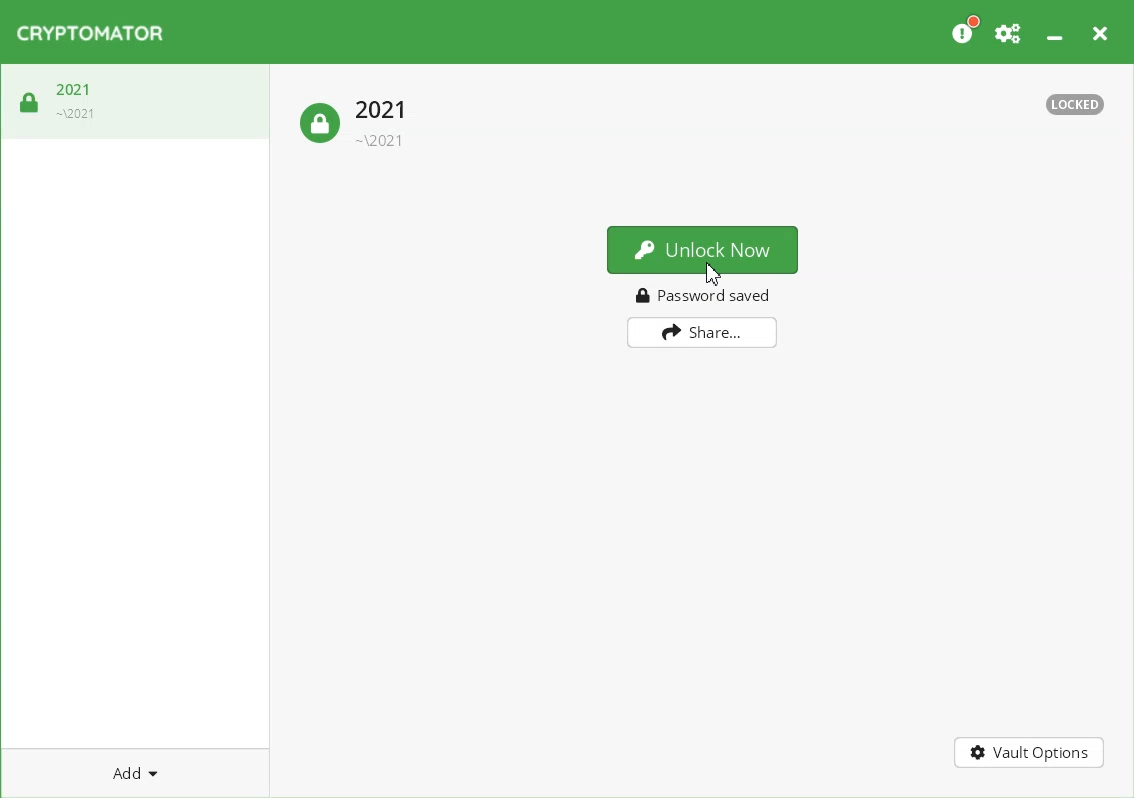  What do you see at coordinates (354, 126) in the screenshot?
I see `Lock vault` at bounding box center [354, 126].